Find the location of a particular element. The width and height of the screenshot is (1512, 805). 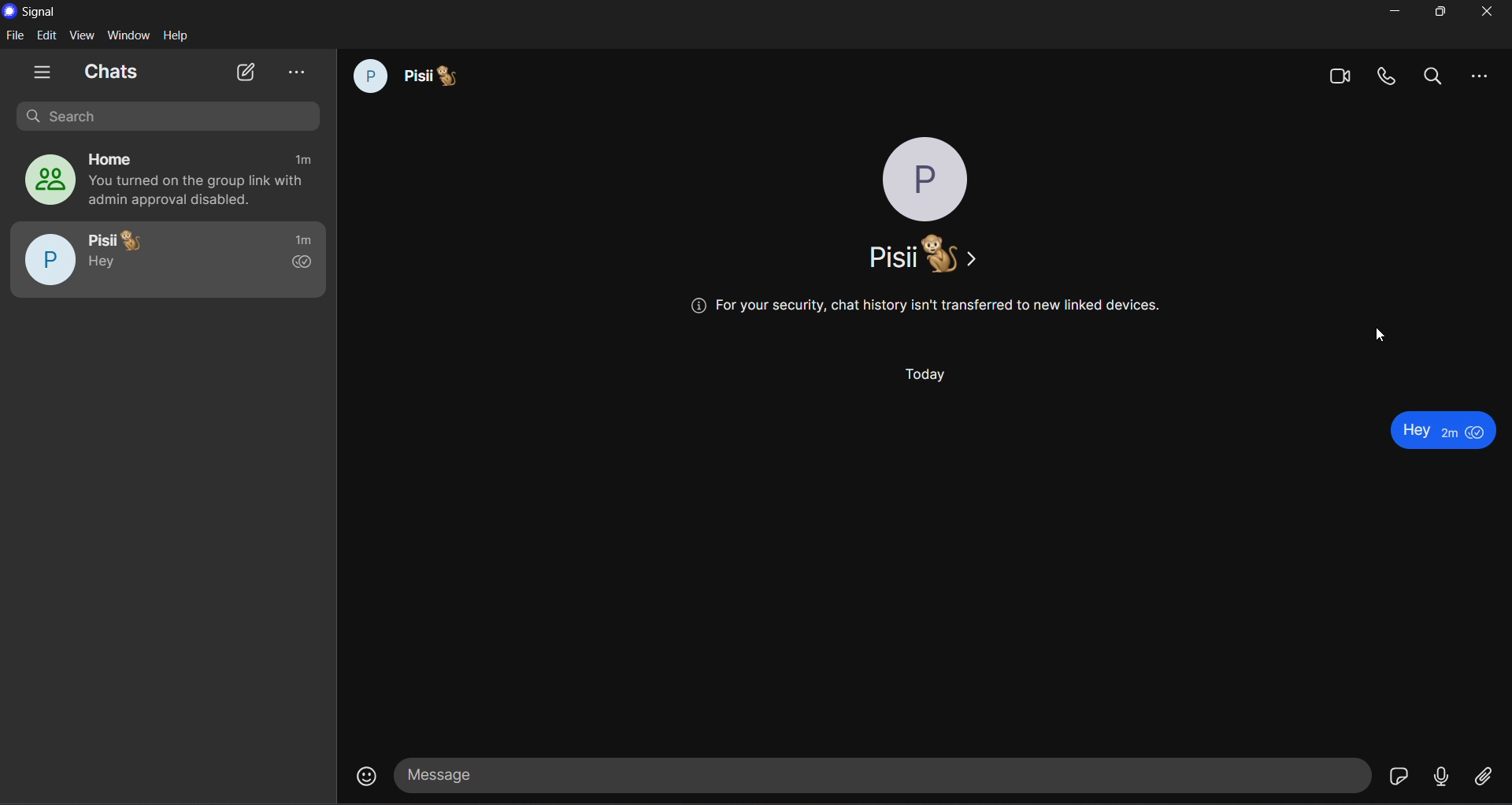

pisii chat is located at coordinates (409, 79).